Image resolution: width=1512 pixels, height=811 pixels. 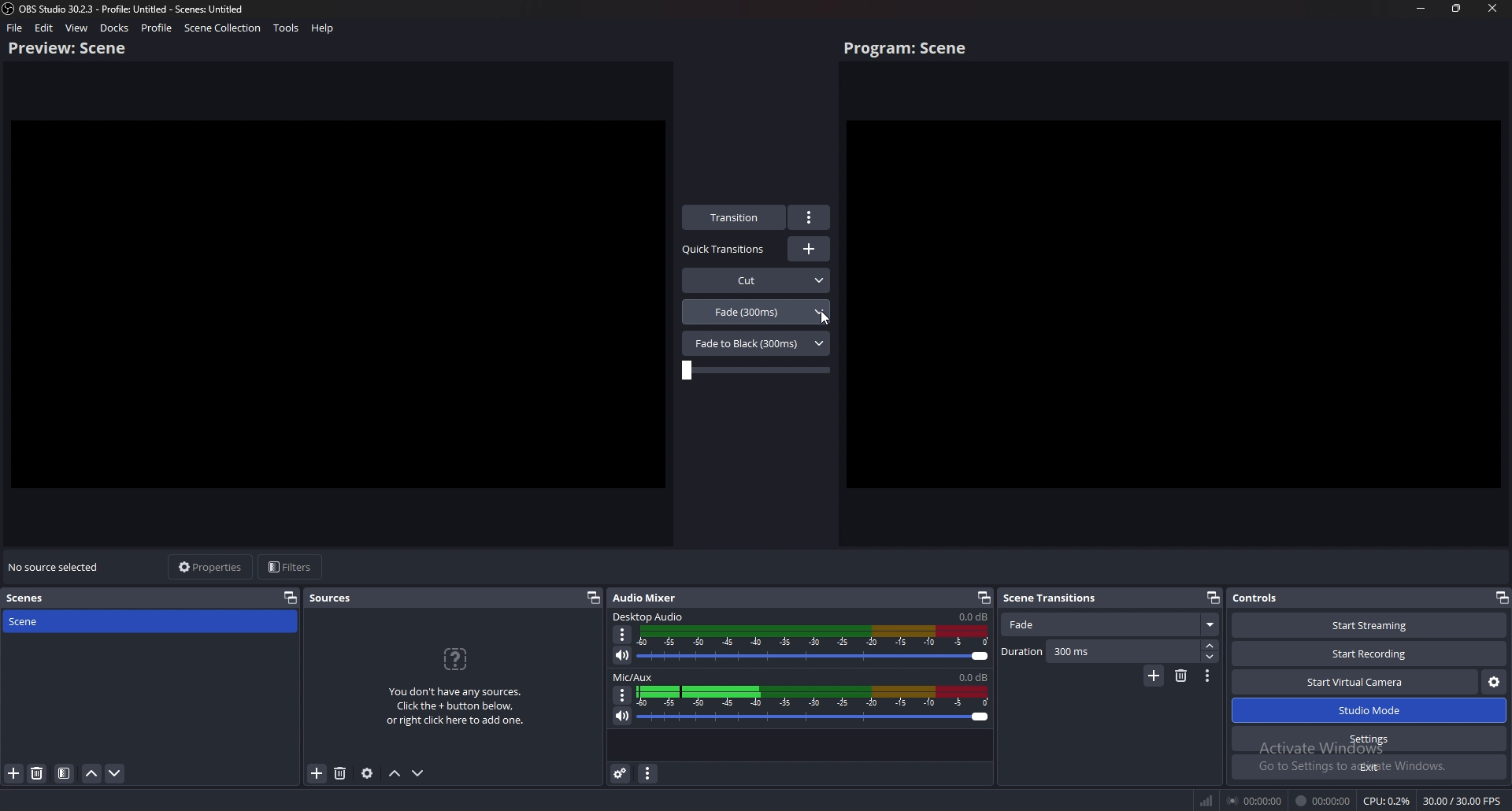 What do you see at coordinates (621, 774) in the screenshot?
I see `advanced audio properties` at bounding box center [621, 774].